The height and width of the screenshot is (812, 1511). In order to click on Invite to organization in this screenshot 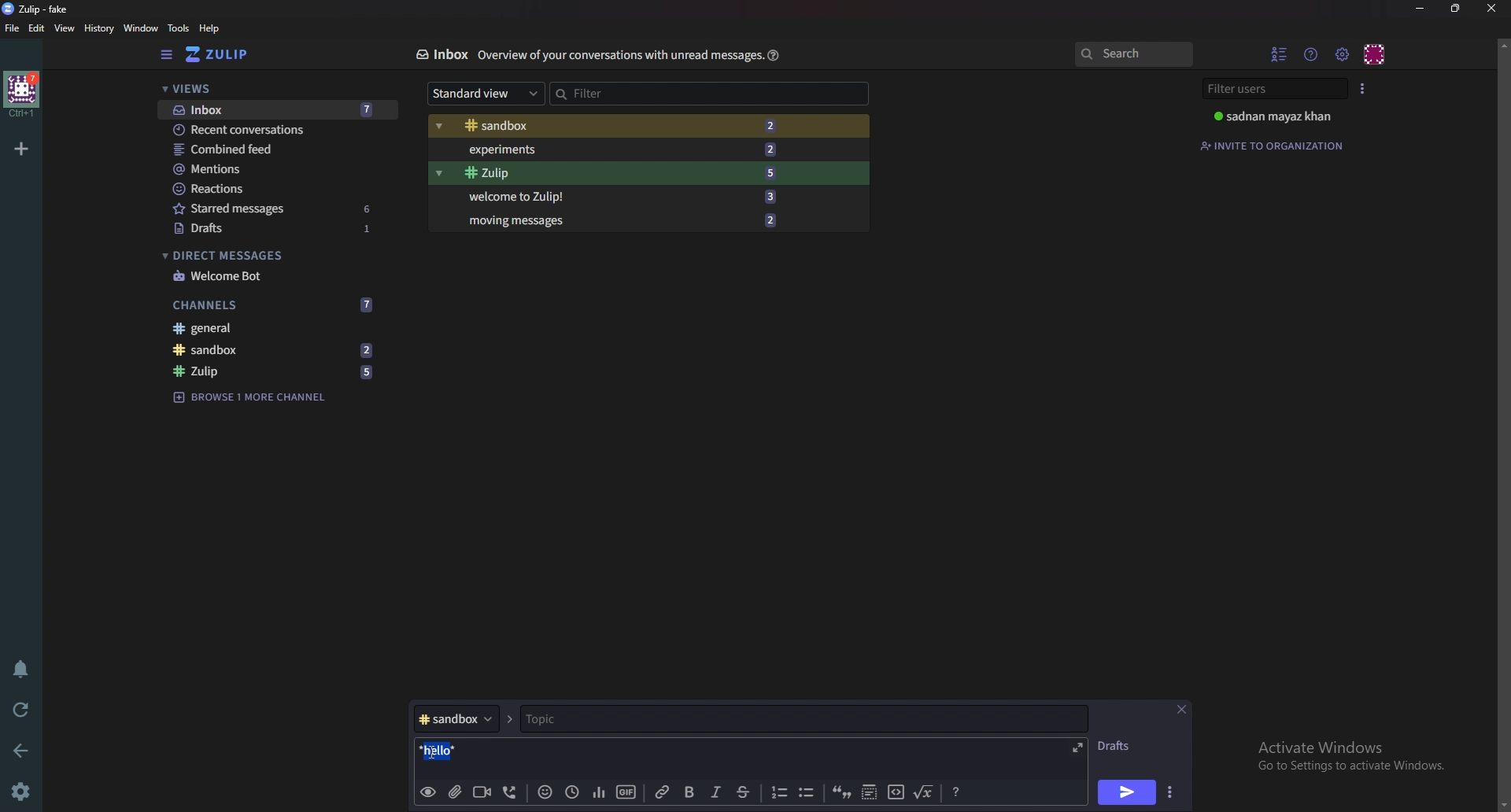, I will do `click(1273, 145)`.